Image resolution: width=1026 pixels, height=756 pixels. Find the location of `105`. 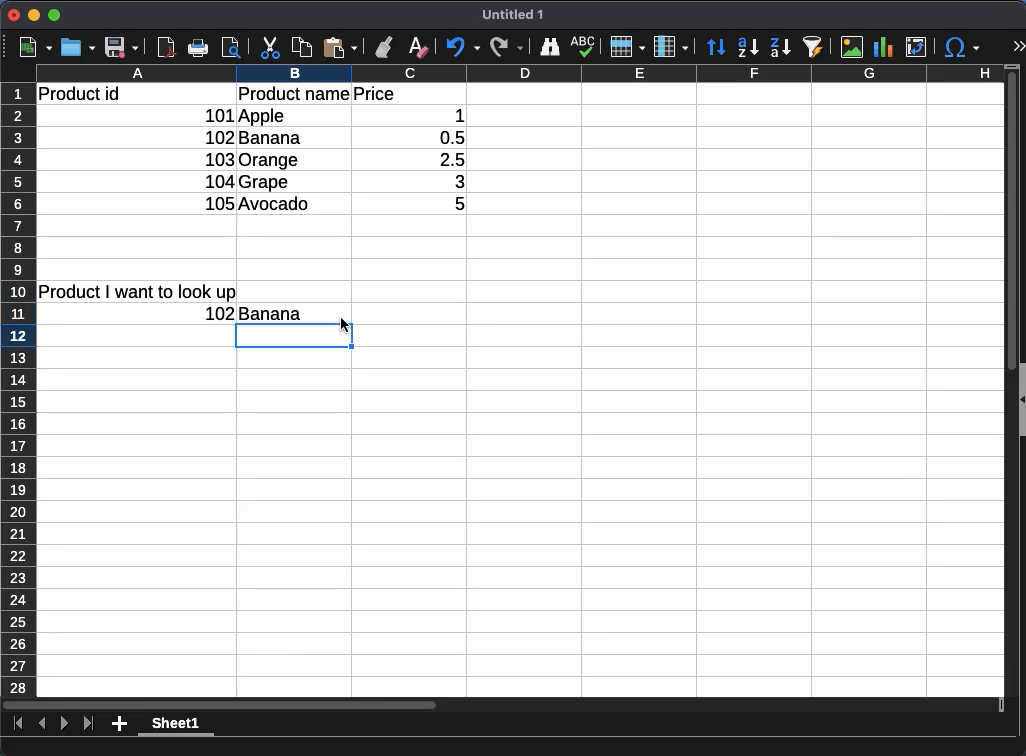

105 is located at coordinates (219, 203).